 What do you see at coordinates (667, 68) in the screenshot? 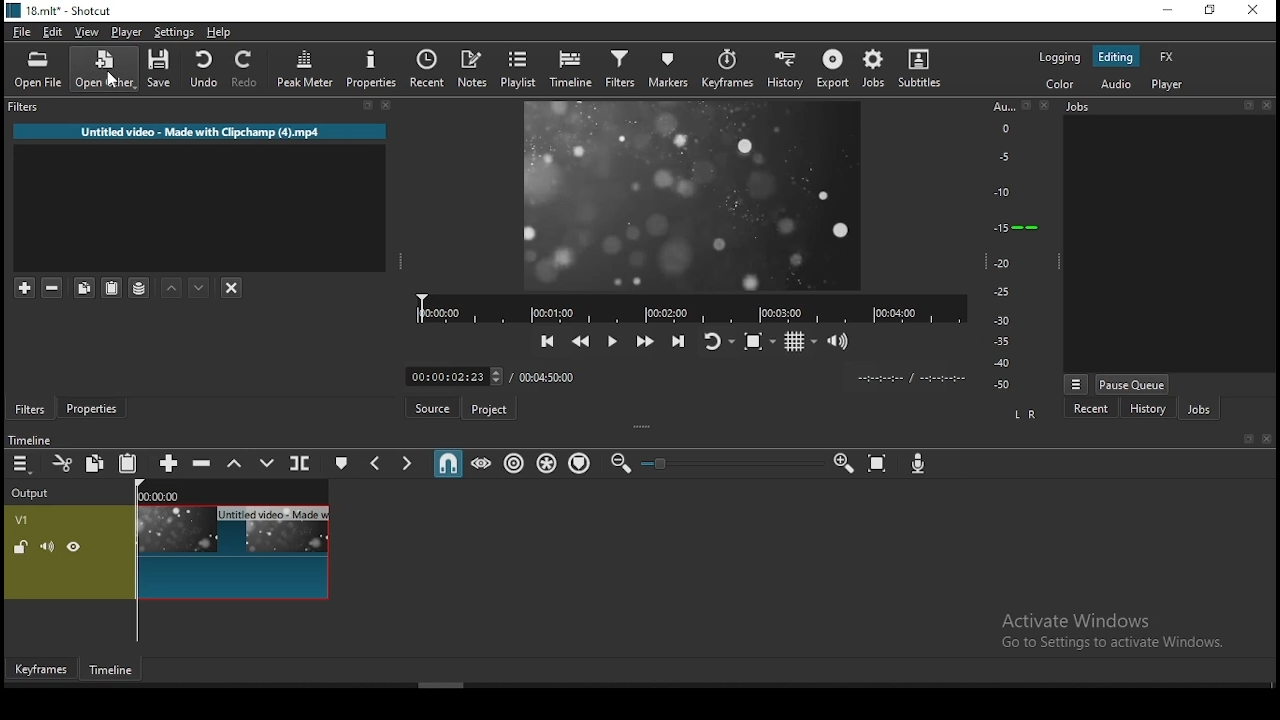
I see `markers` at bounding box center [667, 68].